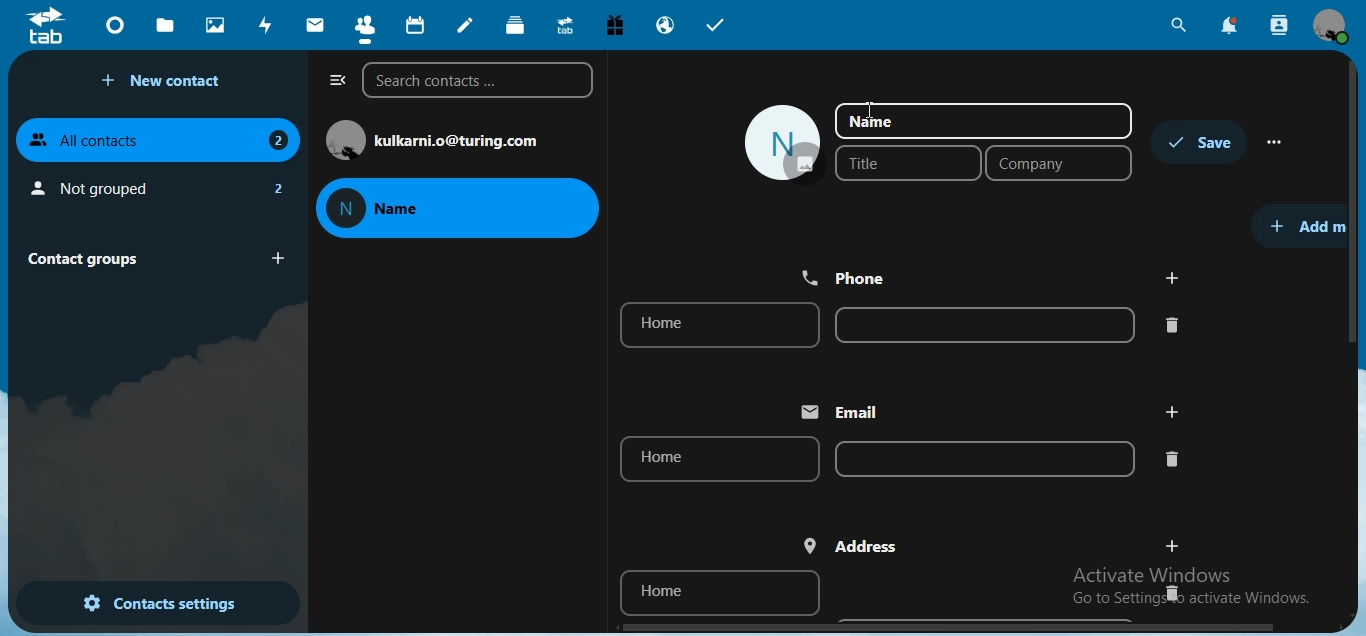 This screenshot has width=1366, height=636. Describe the element at coordinates (719, 460) in the screenshot. I see `home` at that location.